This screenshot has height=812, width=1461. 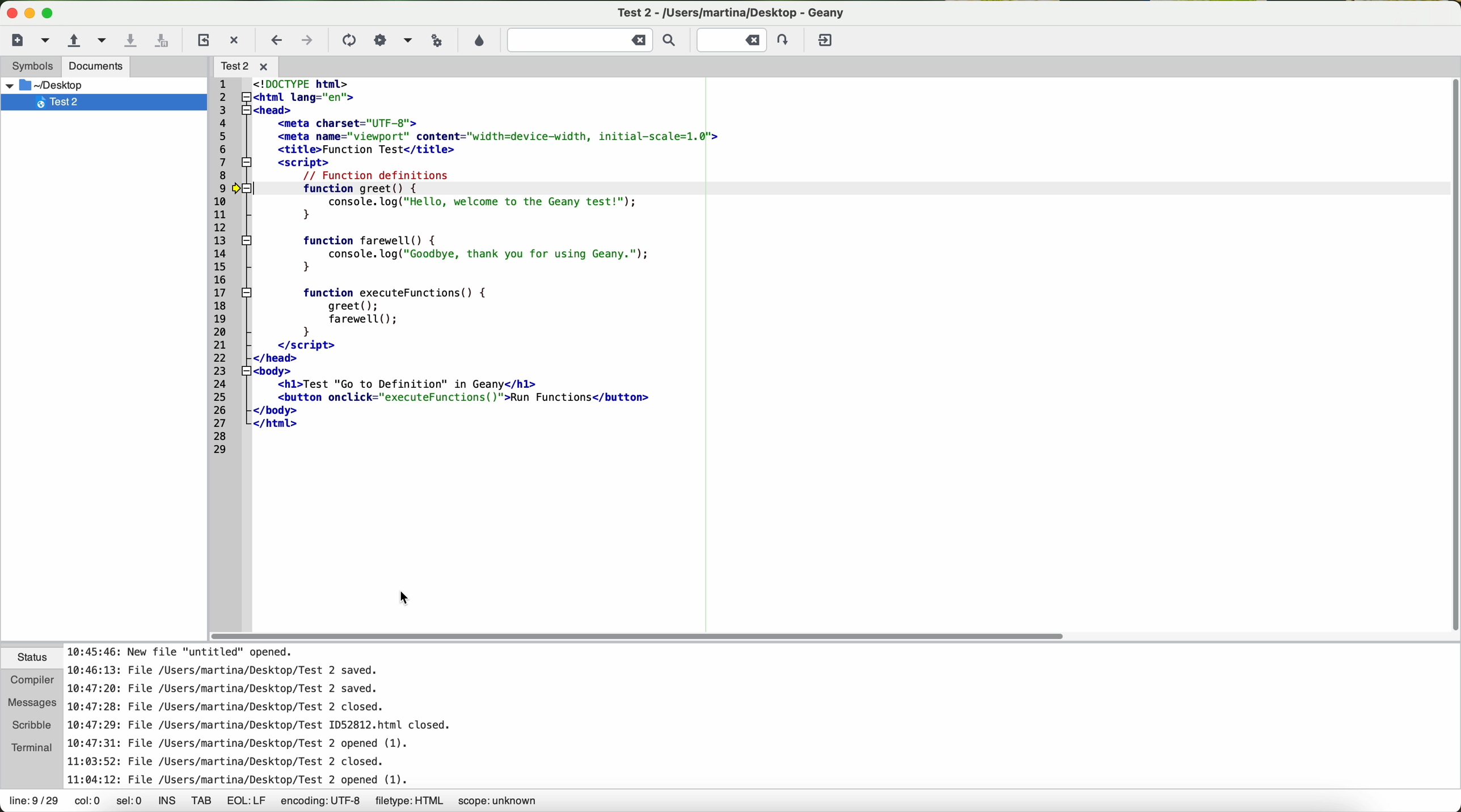 I want to click on reload the current file from diskl, so click(x=202, y=41).